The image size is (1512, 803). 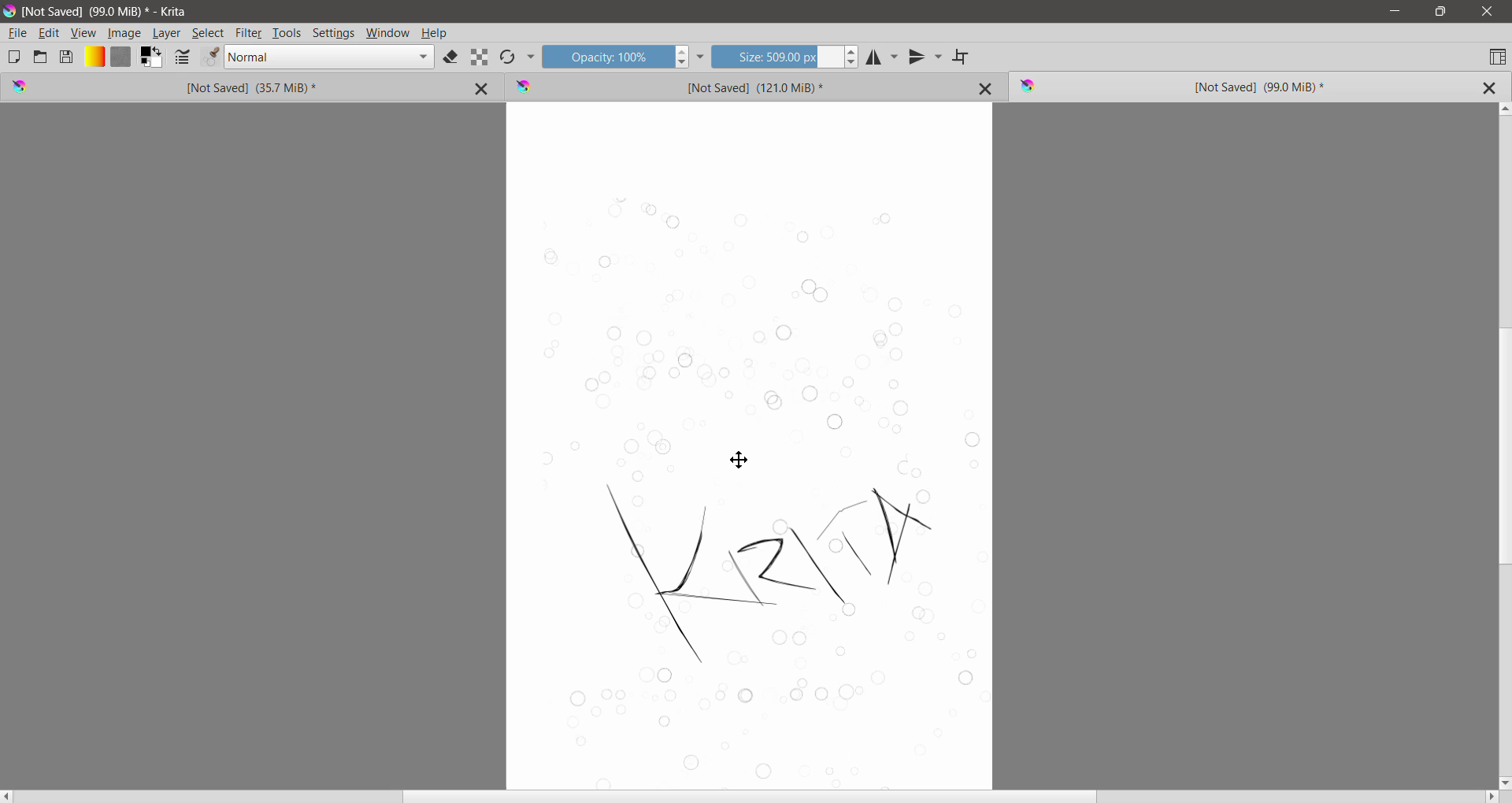 What do you see at coordinates (1488, 12) in the screenshot?
I see `Close` at bounding box center [1488, 12].